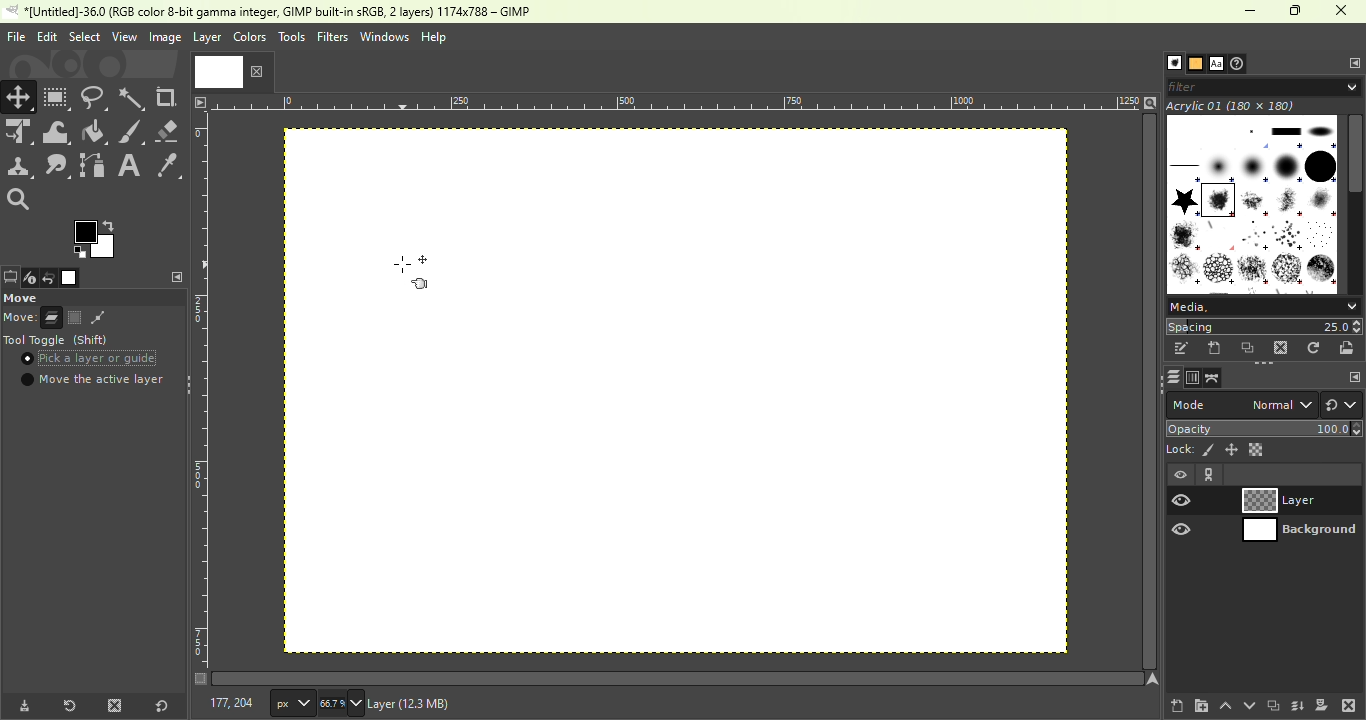 The width and height of the screenshot is (1366, 720). Describe the element at coordinates (1240, 405) in the screenshot. I see `Mode` at that location.